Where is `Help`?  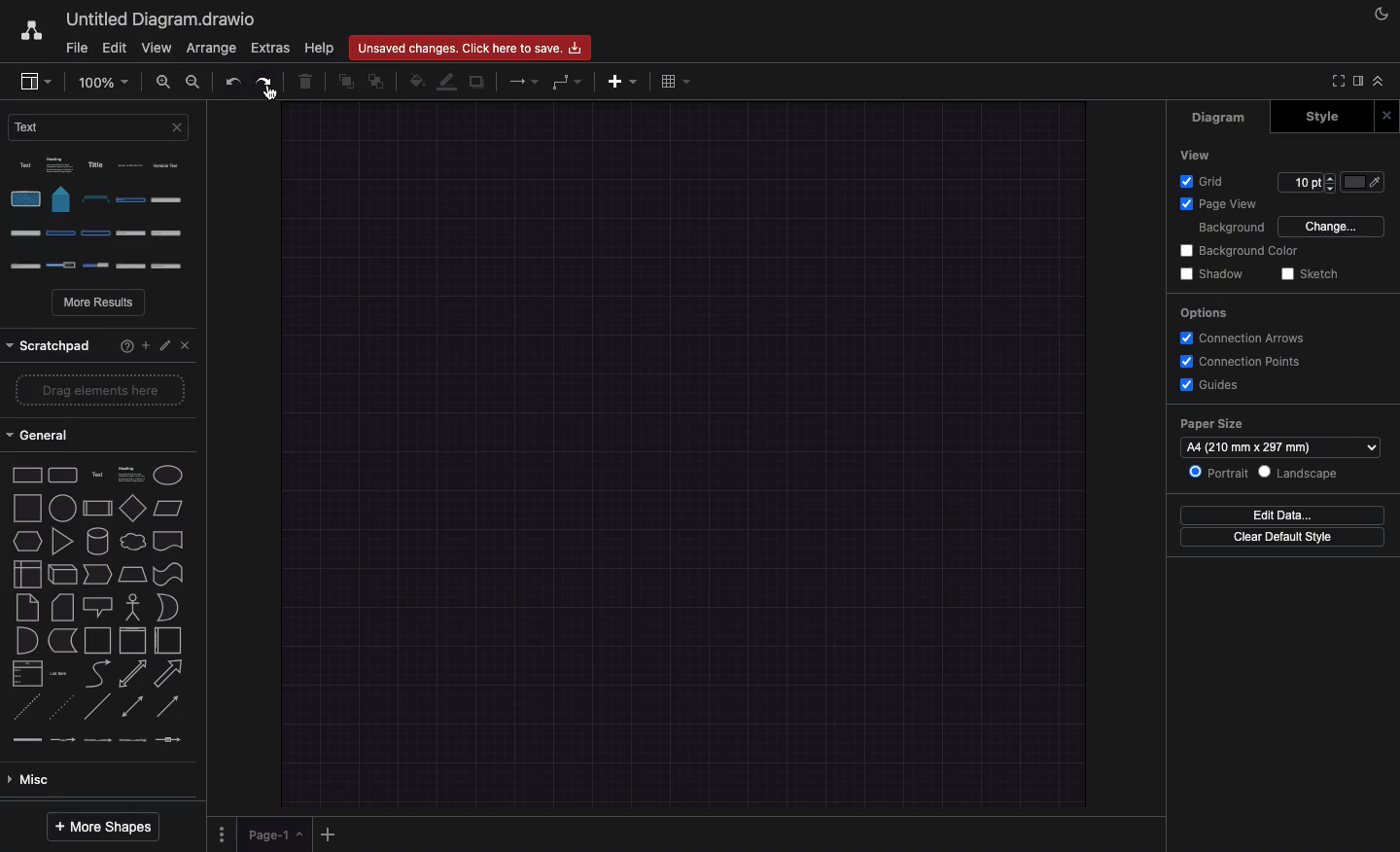
Help is located at coordinates (320, 48).